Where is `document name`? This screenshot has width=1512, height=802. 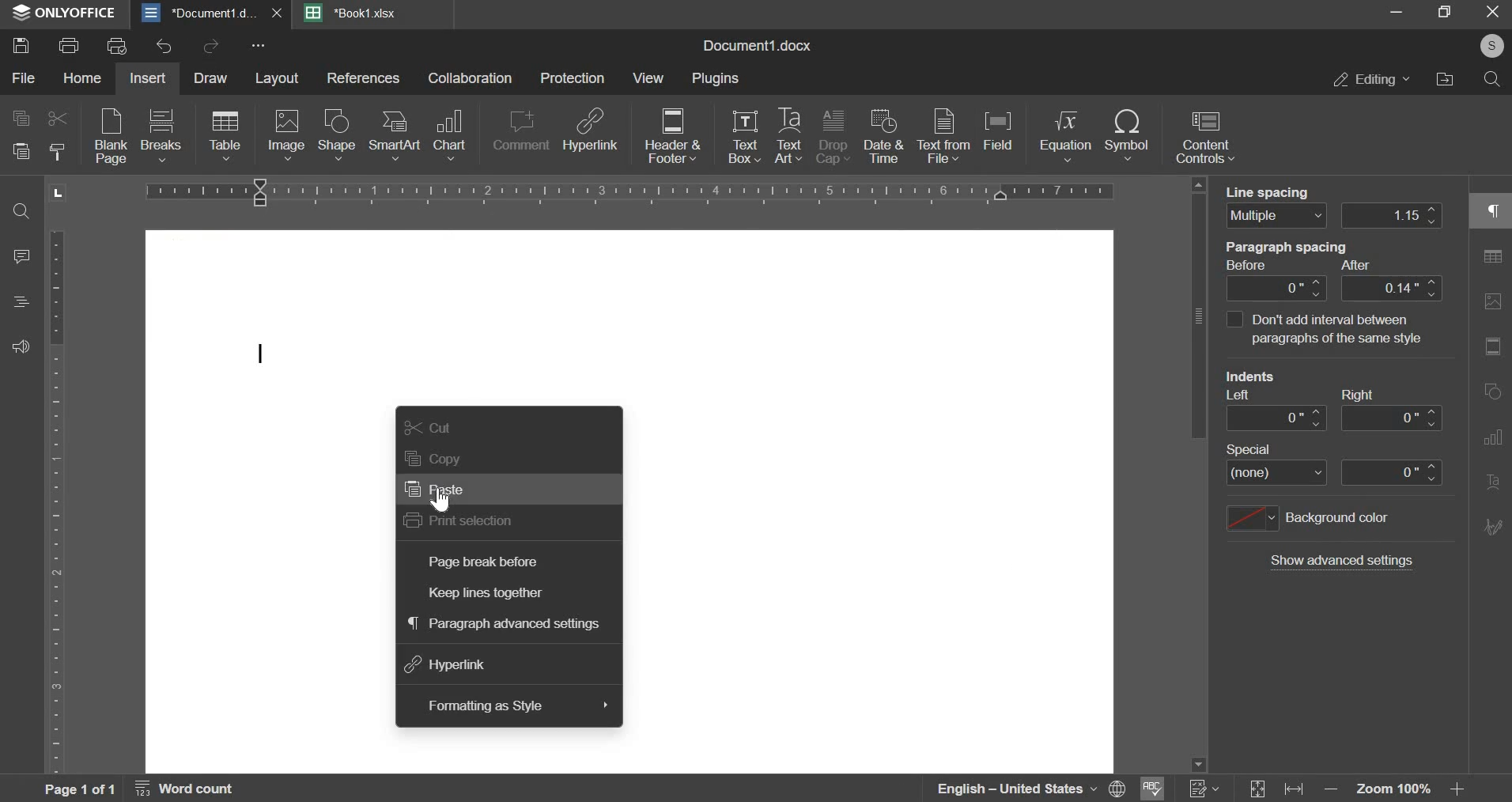 document name is located at coordinates (755, 44).